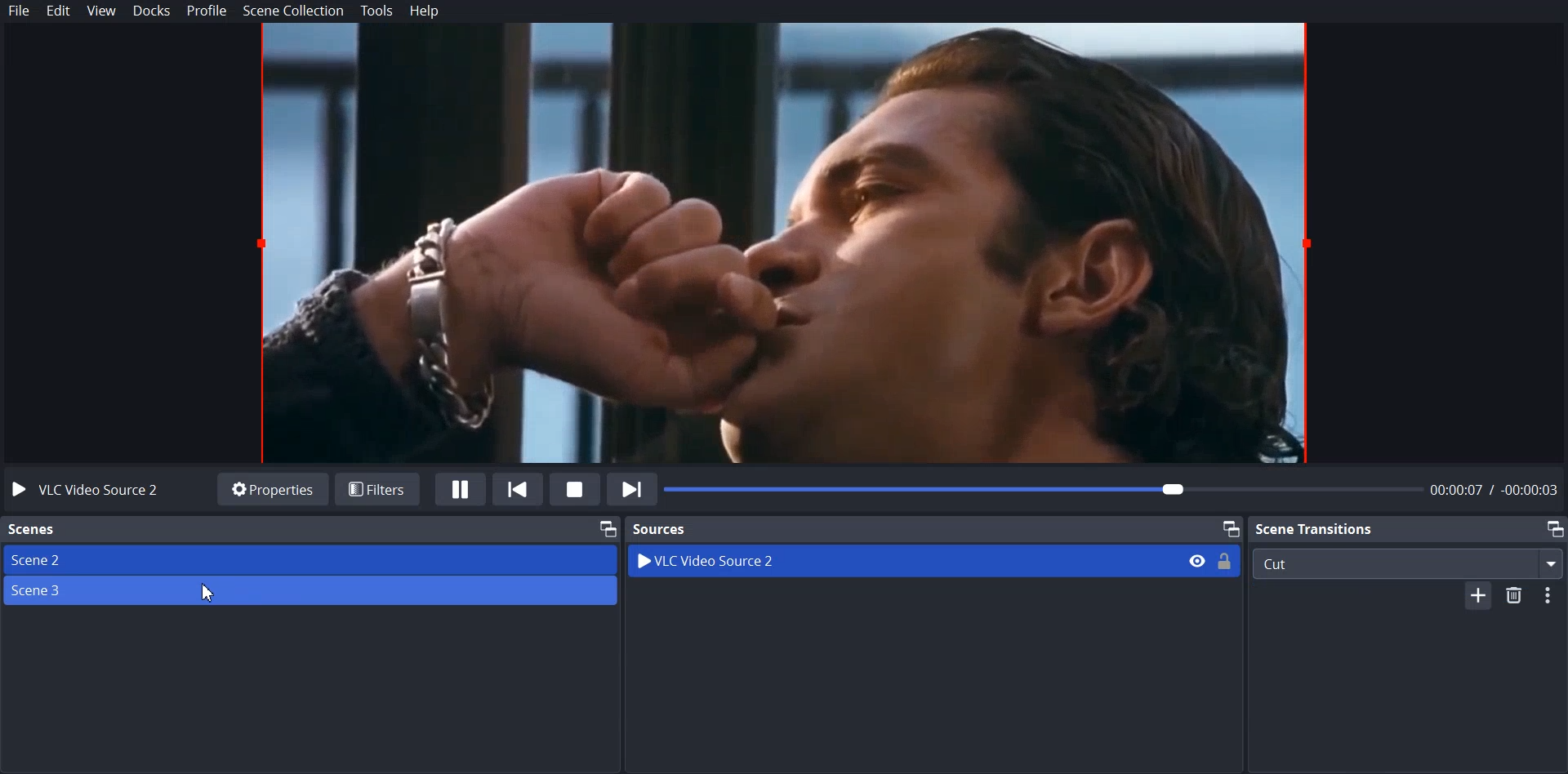  I want to click on Properties, so click(272, 488).